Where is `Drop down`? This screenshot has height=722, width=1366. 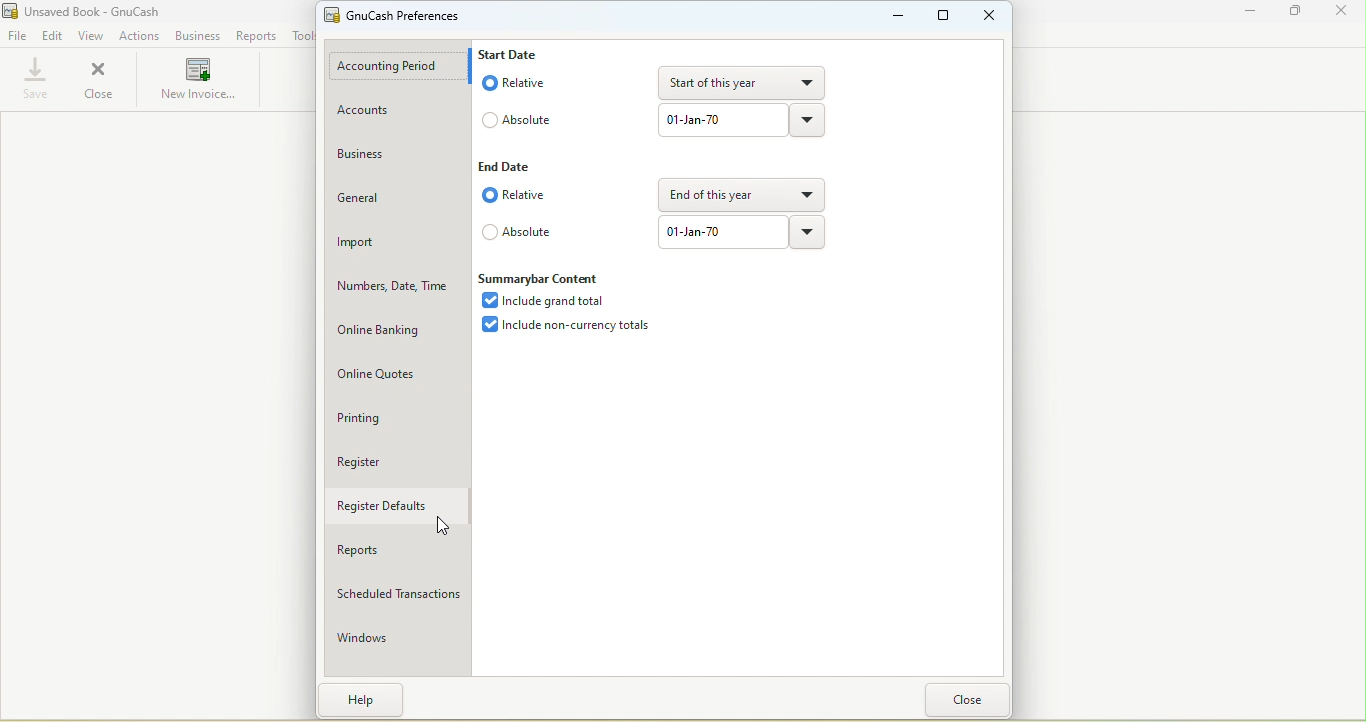 Drop down is located at coordinates (813, 121).